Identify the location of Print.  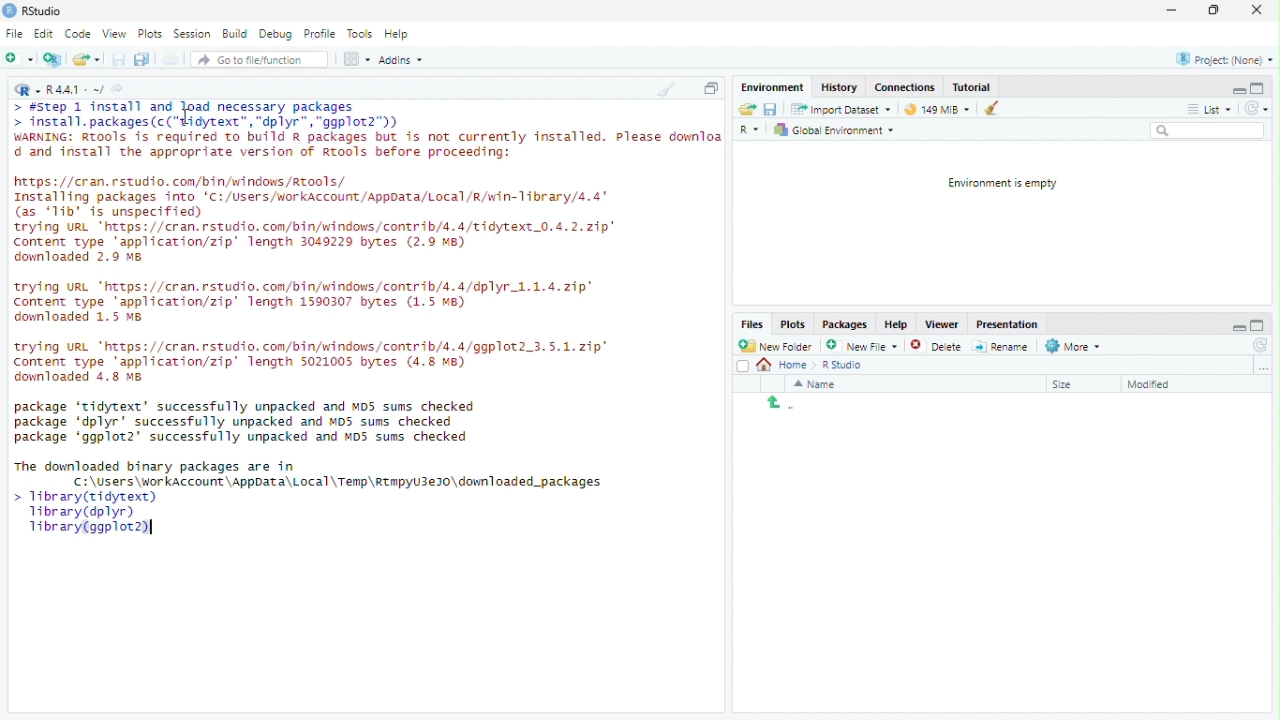
(172, 59).